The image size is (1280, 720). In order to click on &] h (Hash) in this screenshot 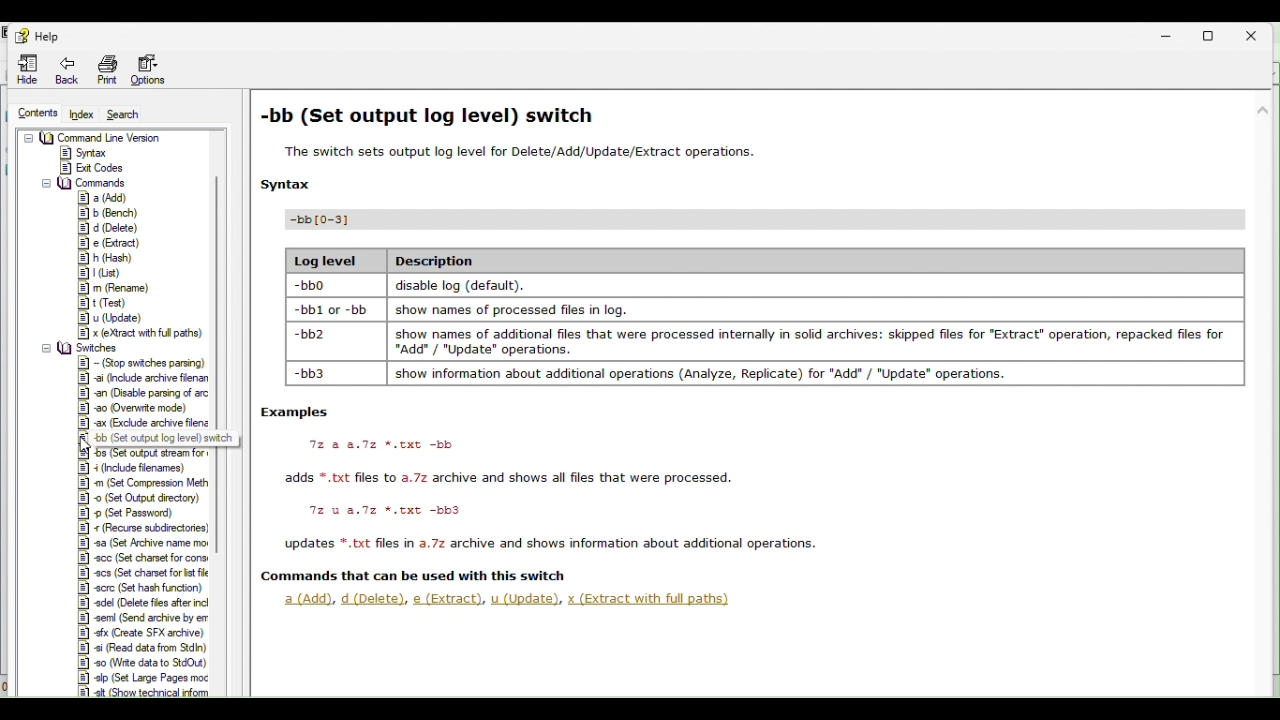, I will do `click(112, 258)`.